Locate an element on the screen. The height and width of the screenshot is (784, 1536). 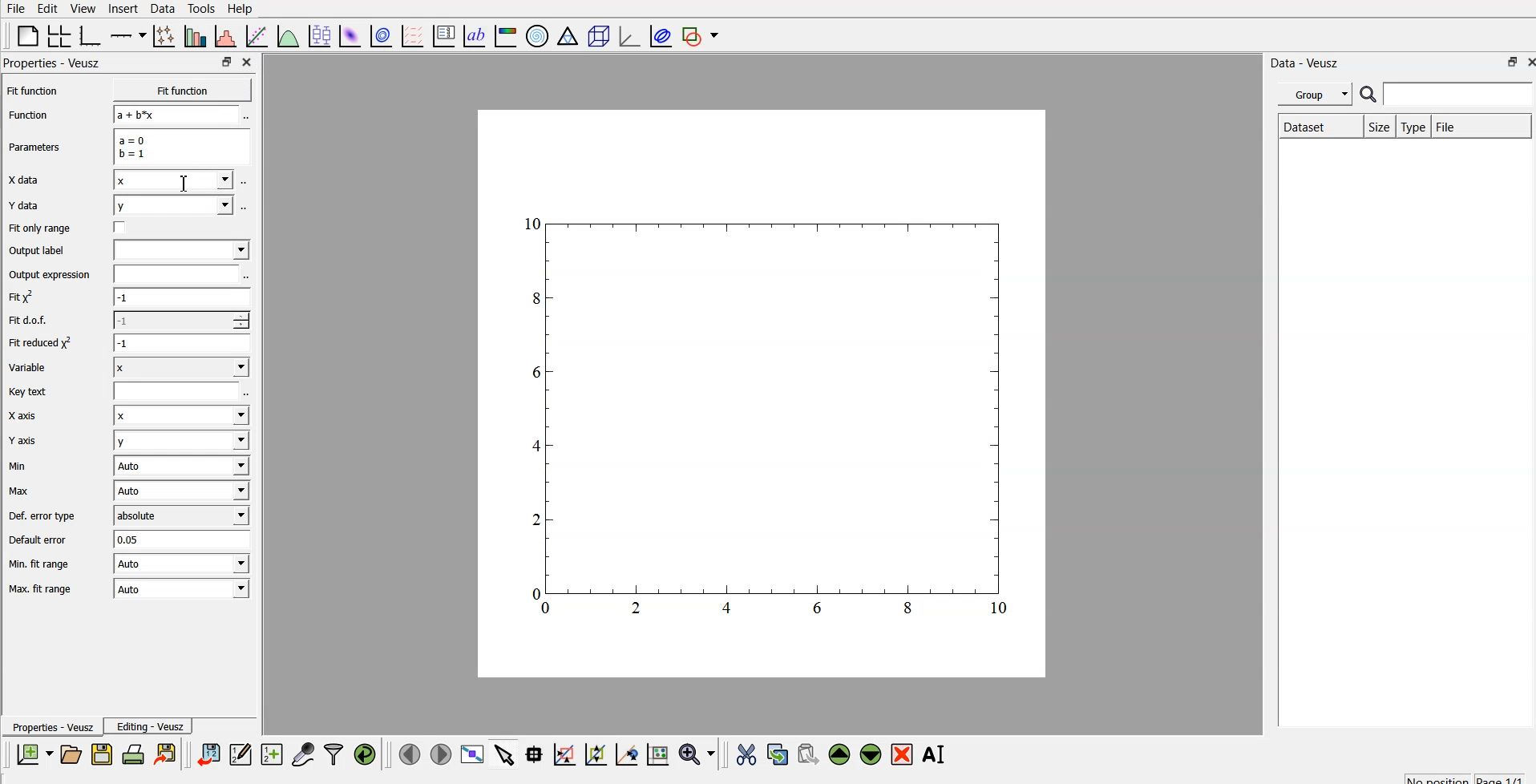
plot 2d data set as an image is located at coordinates (351, 36).